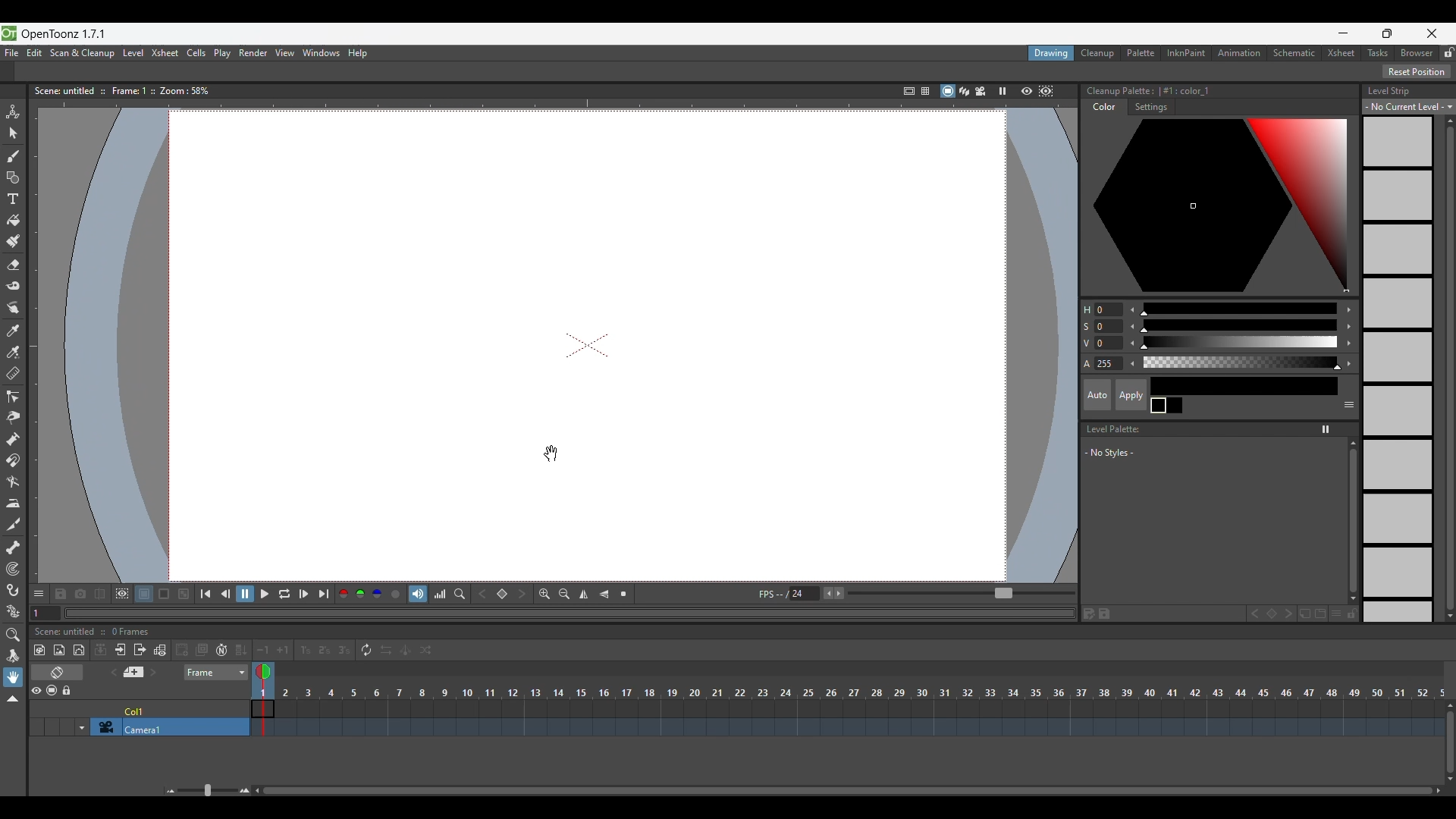 Image resolution: width=1456 pixels, height=819 pixels. Describe the element at coordinates (1116, 428) in the screenshot. I see `Level Palette:` at that location.